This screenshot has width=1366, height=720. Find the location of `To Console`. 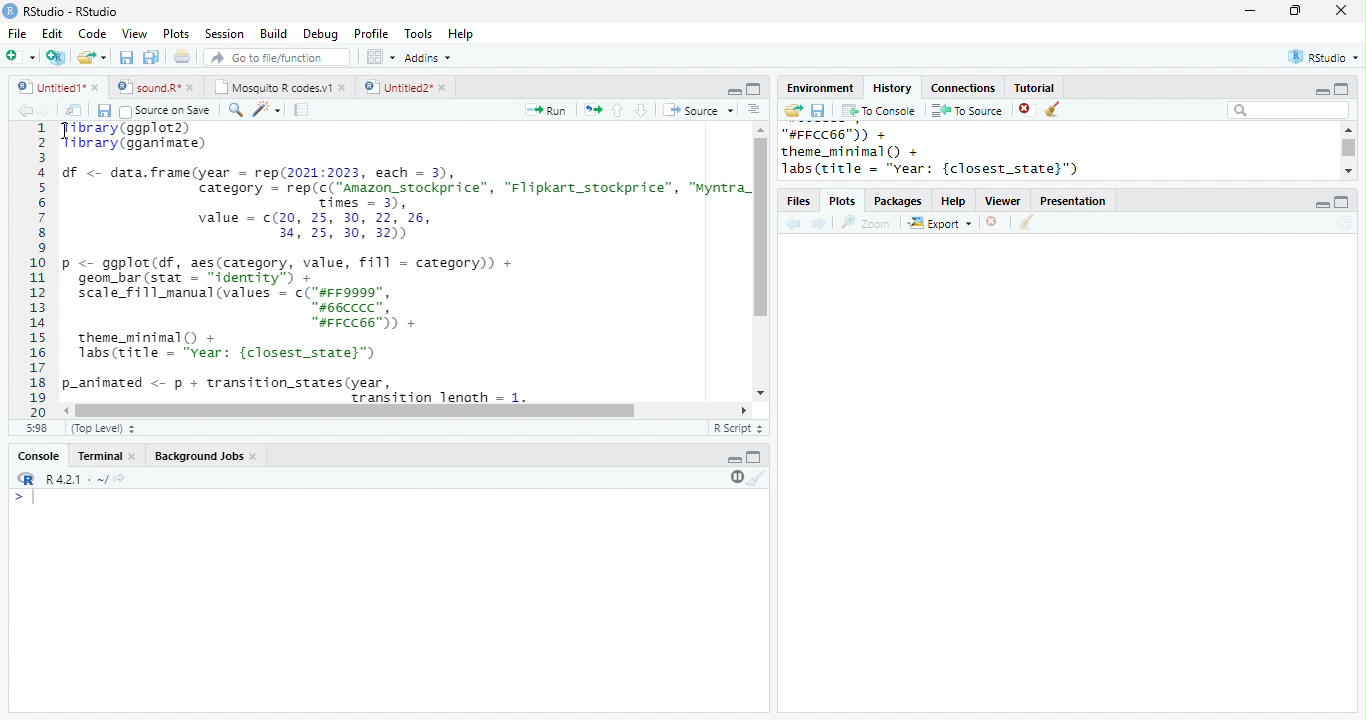

To Console is located at coordinates (880, 111).